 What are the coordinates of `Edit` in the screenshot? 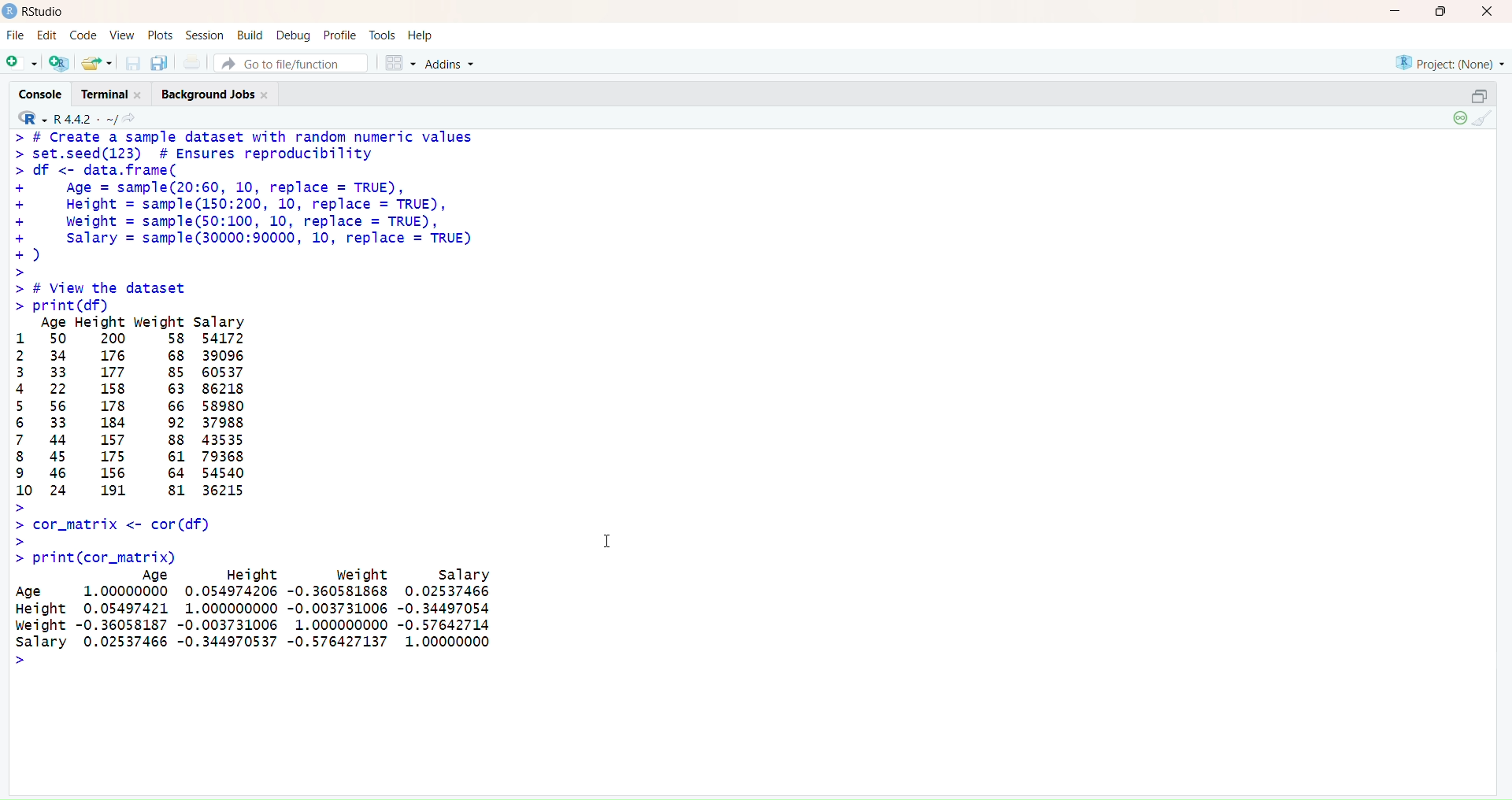 It's located at (48, 36).